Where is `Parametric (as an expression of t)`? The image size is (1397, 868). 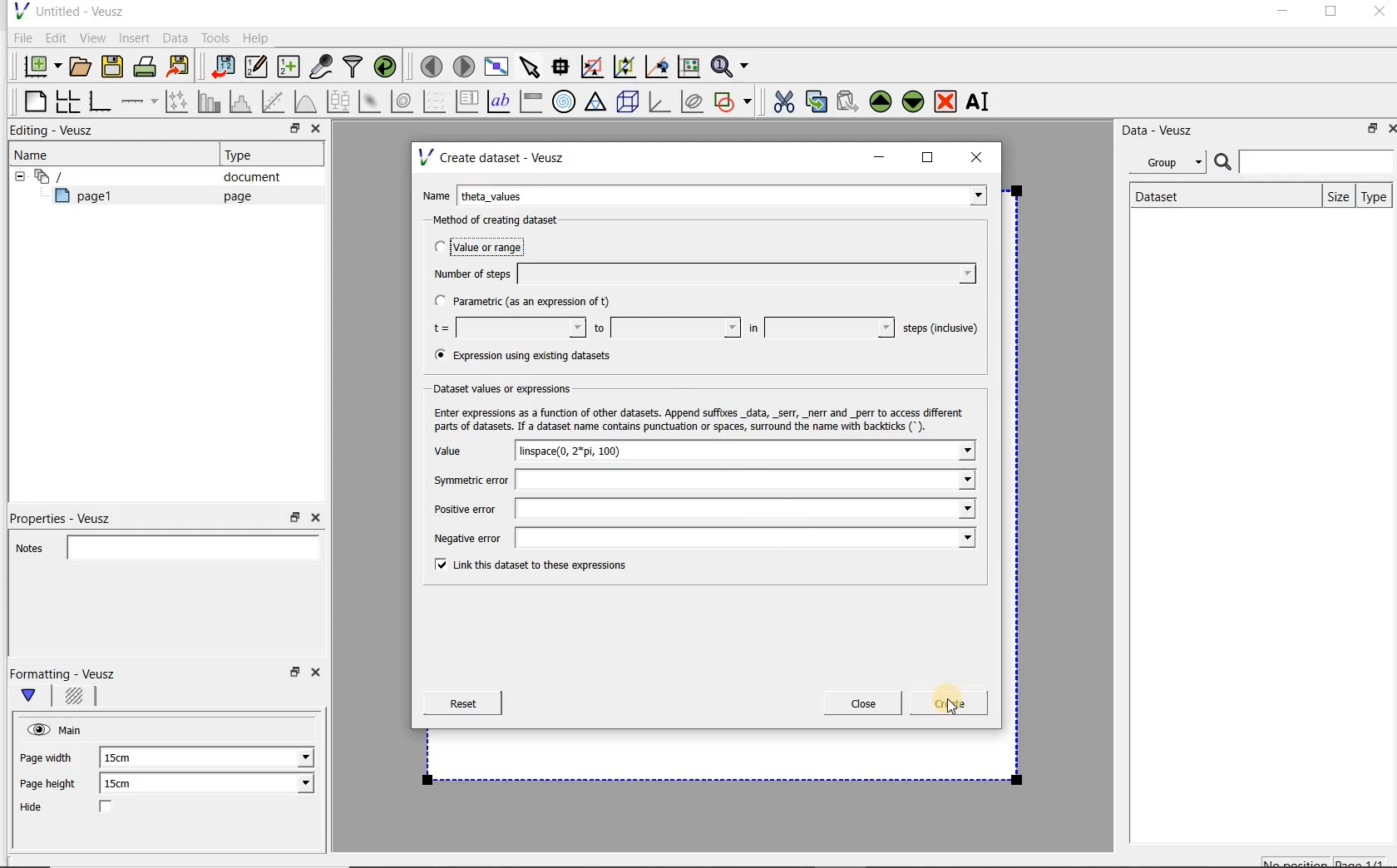
Parametric (as an expression of t) is located at coordinates (530, 302).